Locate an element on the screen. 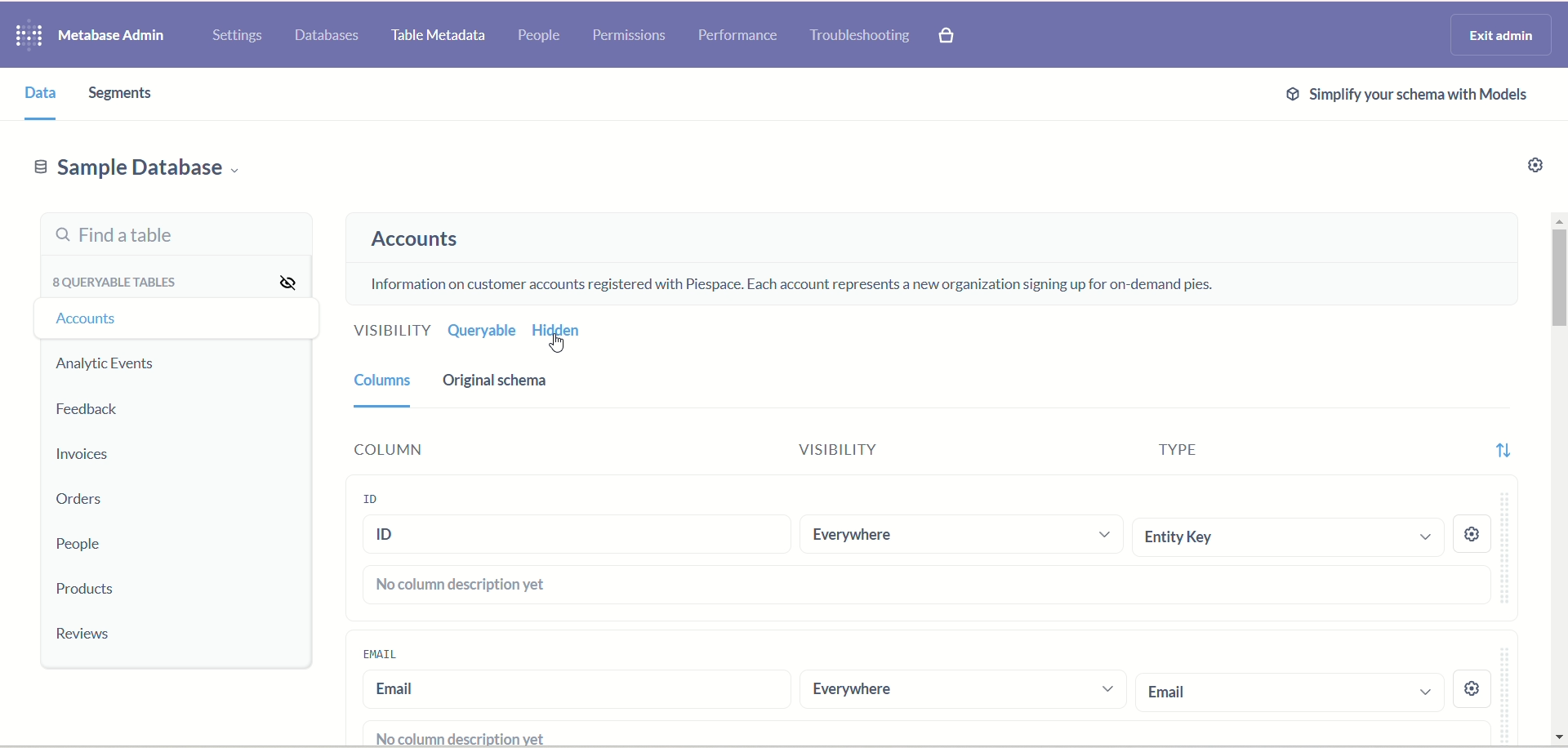 The height and width of the screenshot is (748, 1568). type label is located at coordinates (1282, 452).